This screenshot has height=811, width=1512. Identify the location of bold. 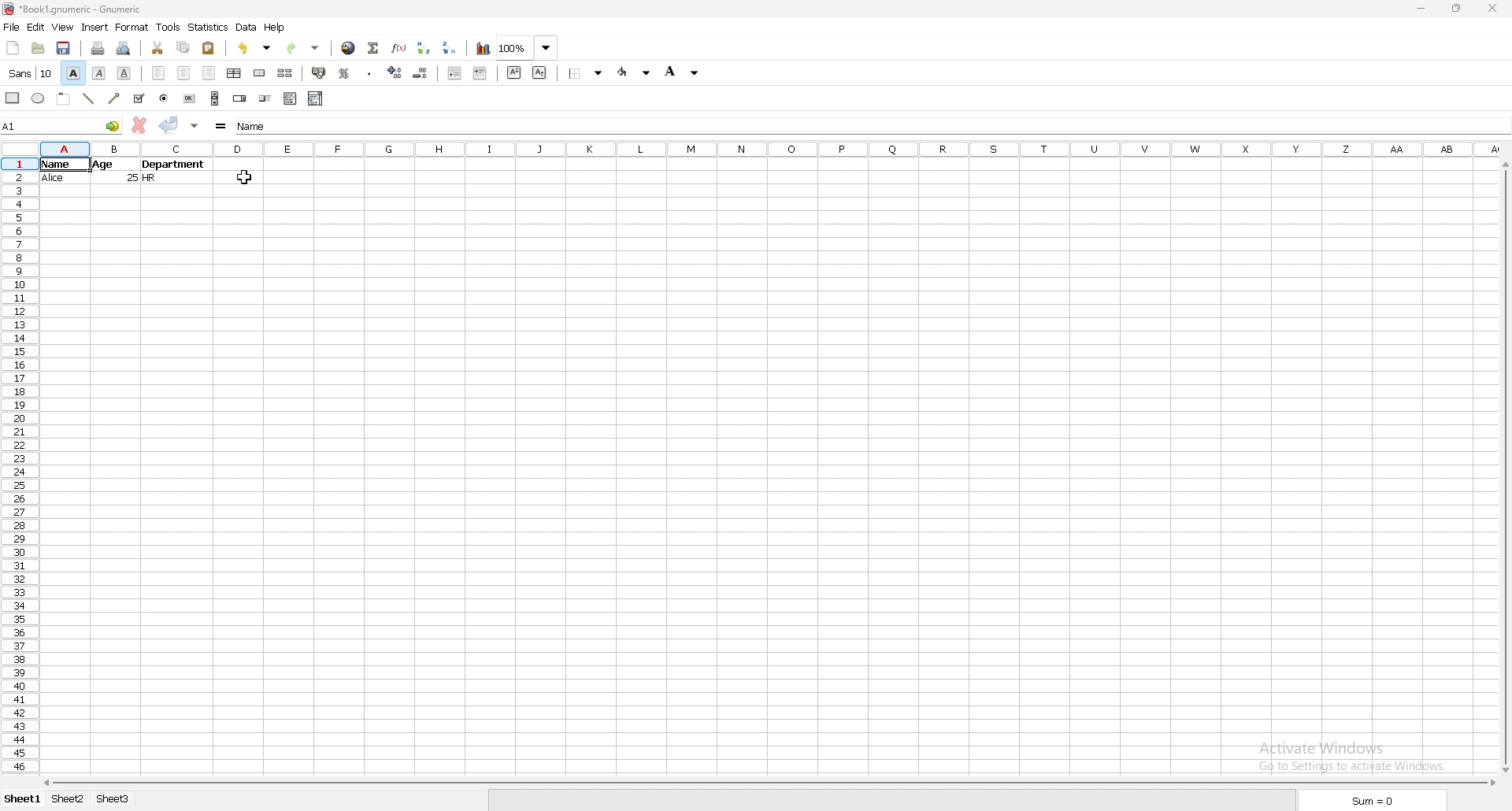
(75, 72).